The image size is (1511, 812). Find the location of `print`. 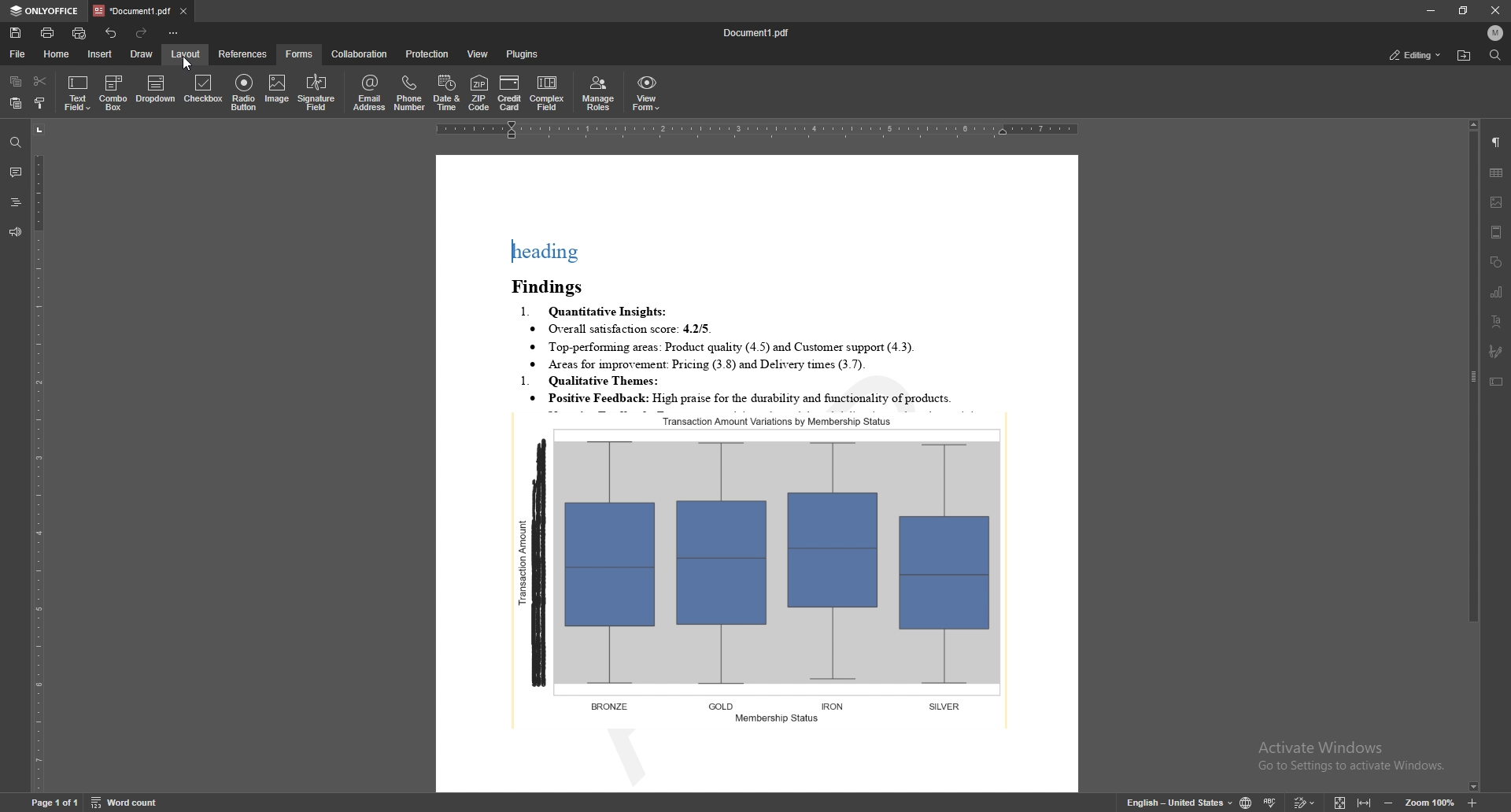

print is located at coordinates (49, 33).